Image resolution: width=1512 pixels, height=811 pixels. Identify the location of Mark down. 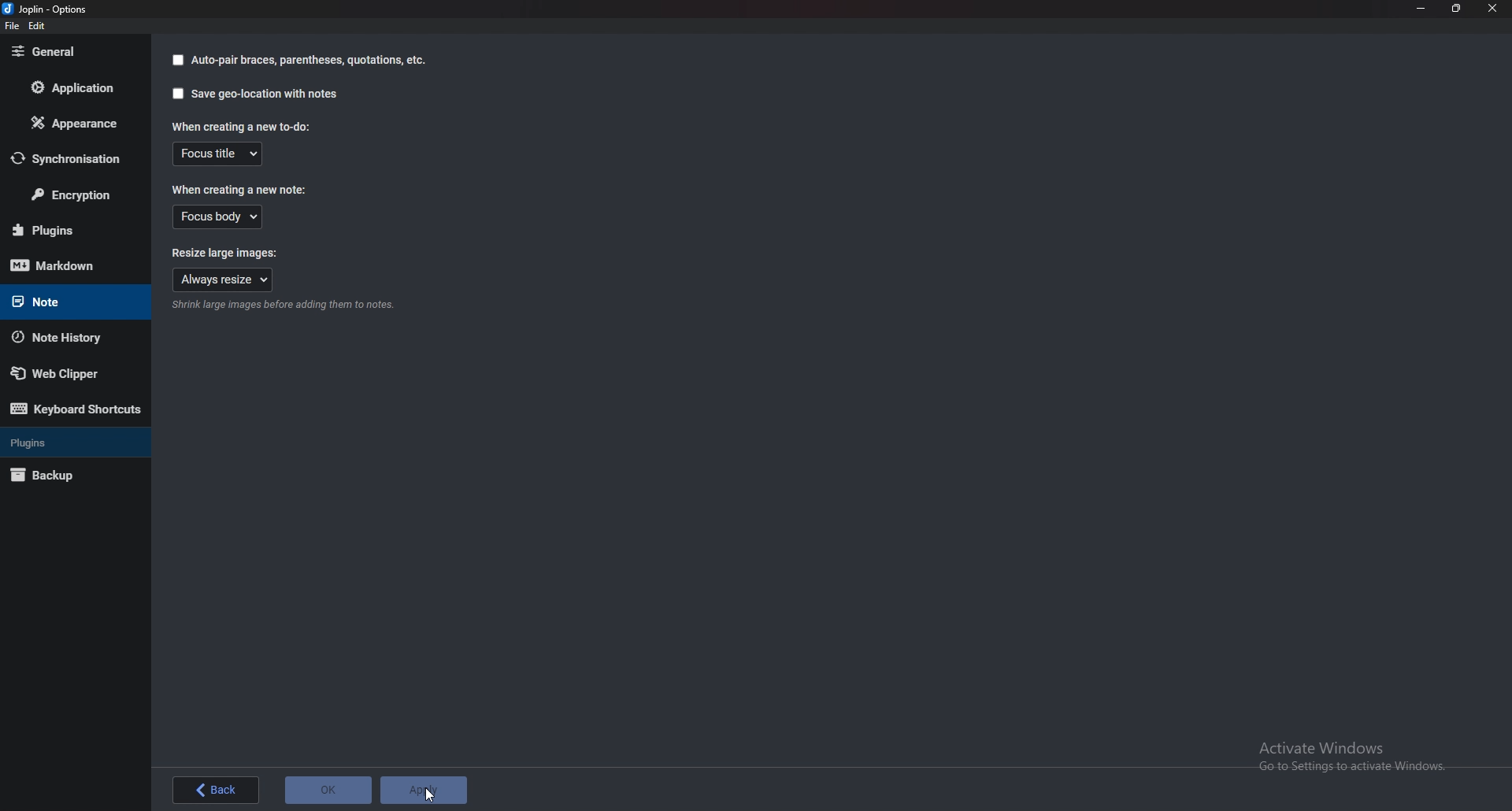
(73, 265).